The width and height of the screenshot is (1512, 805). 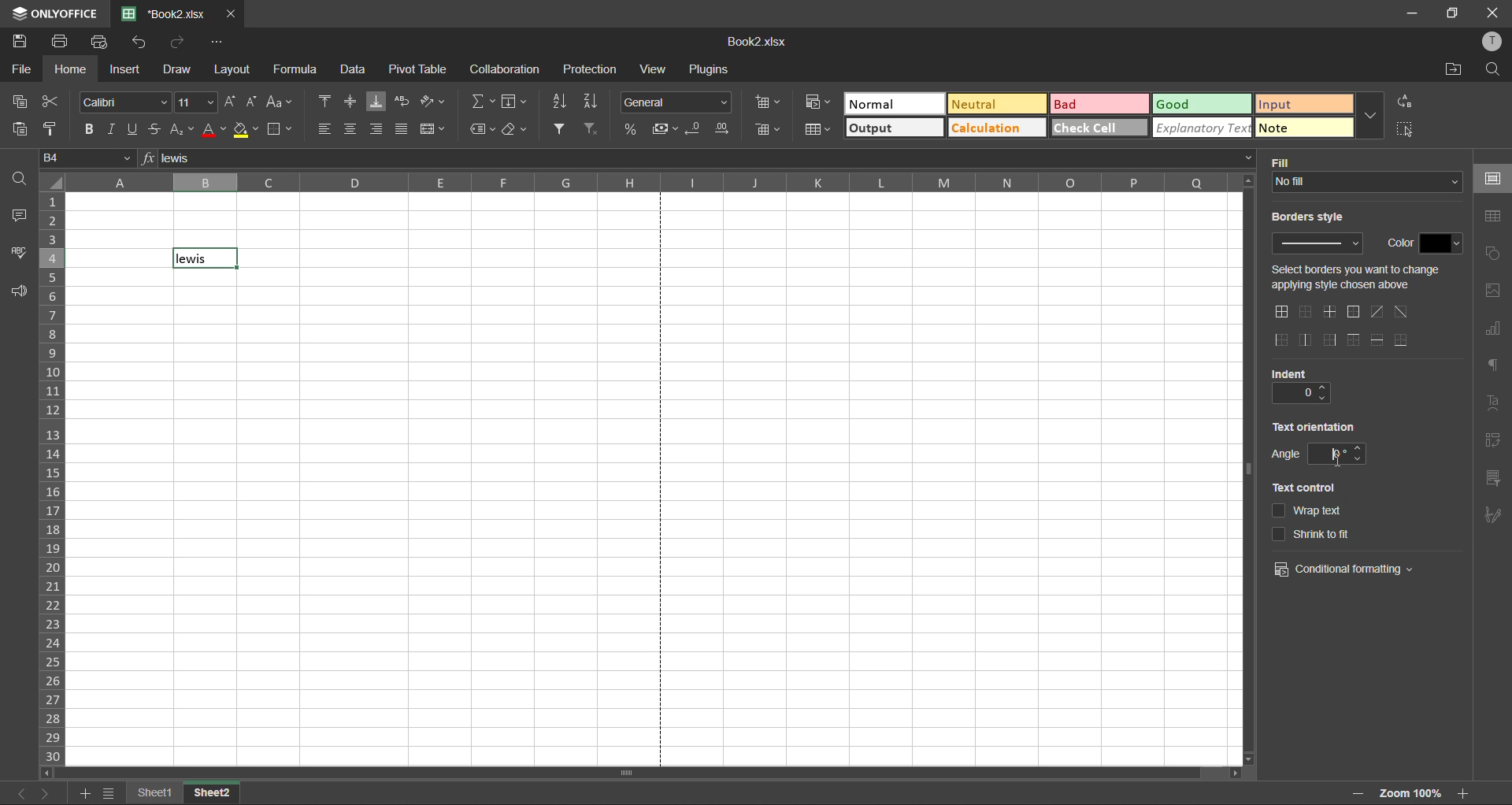 What do you see at coordinates (353, 69) in the screenshot?
I see `data` at bounding box center [353, 69].